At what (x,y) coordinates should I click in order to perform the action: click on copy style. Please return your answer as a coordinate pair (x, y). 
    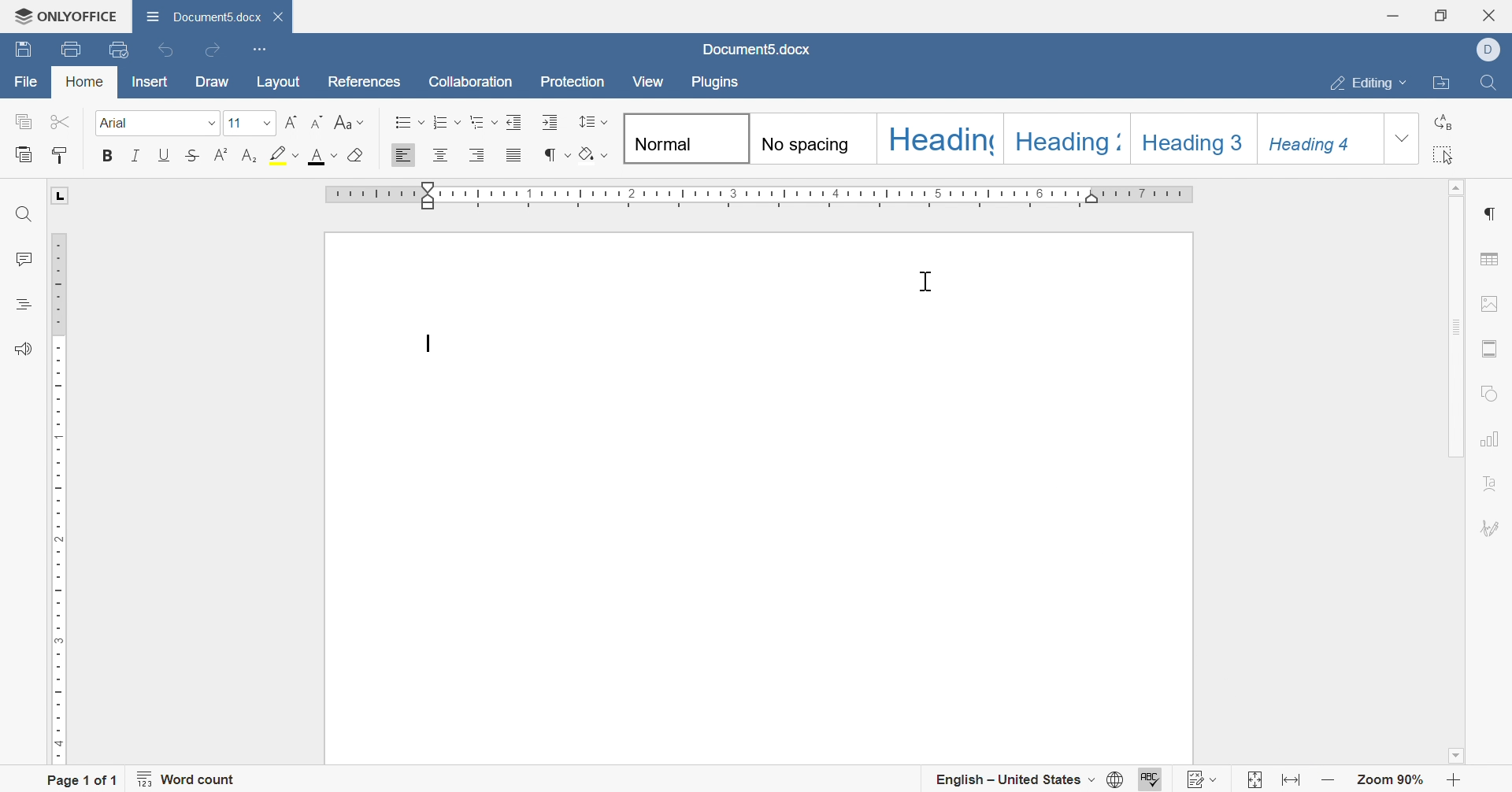
    Looking at the image, I should click on (61, 153).